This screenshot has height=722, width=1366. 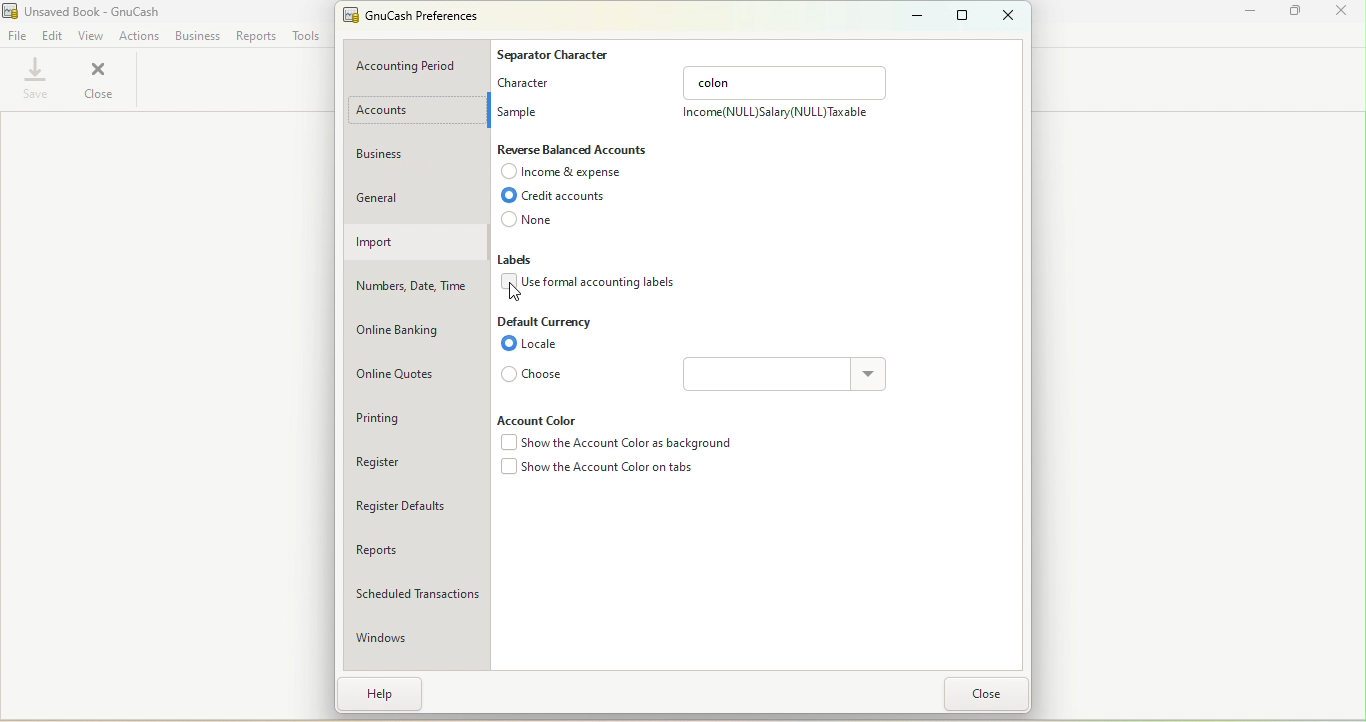 What do you see at coordinates (420, 18) in the screenshot?
I see `File name` at bounding box center [420, 18].